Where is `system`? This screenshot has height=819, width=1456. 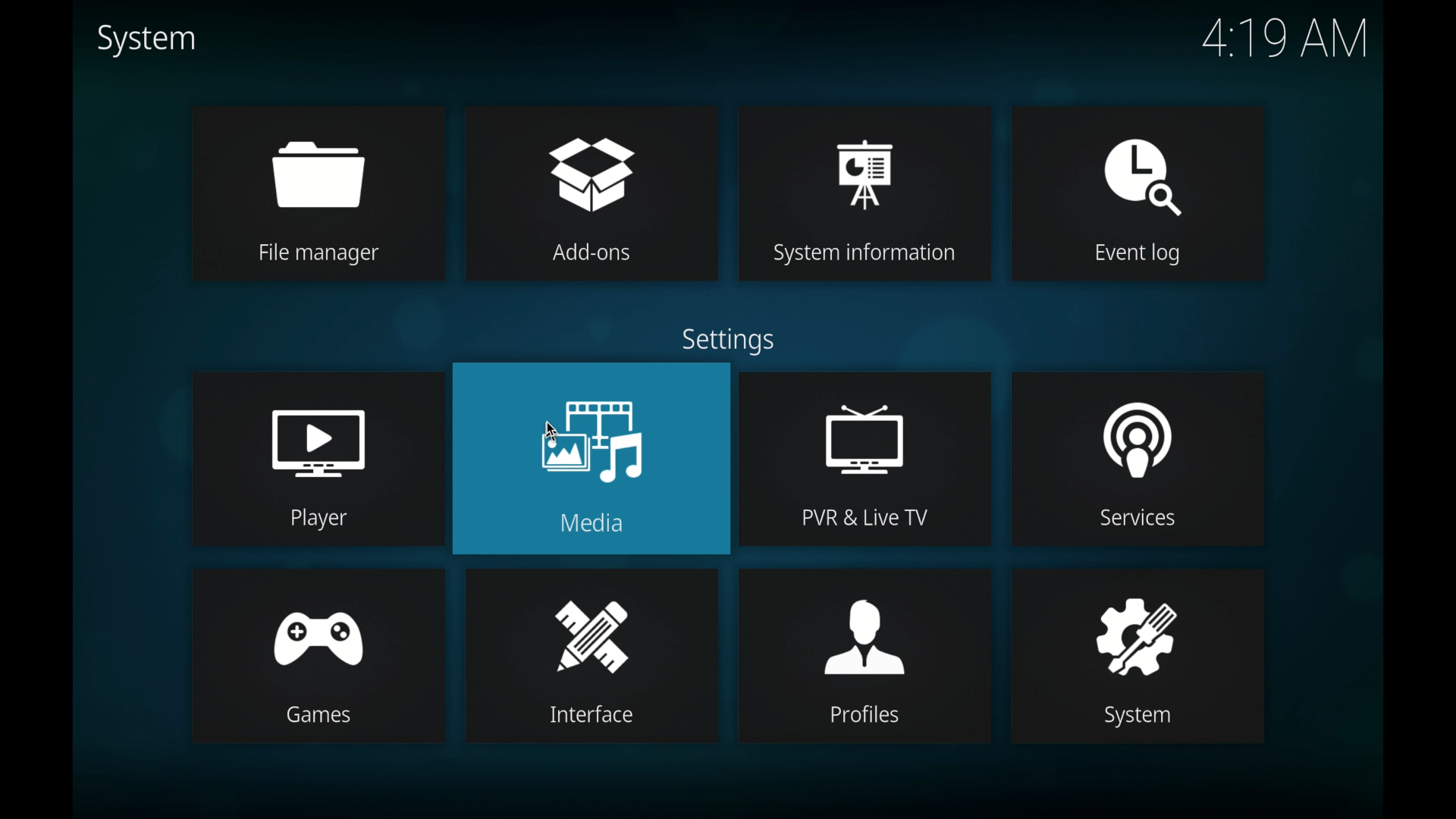
system is located at coordinates (1139, 657).